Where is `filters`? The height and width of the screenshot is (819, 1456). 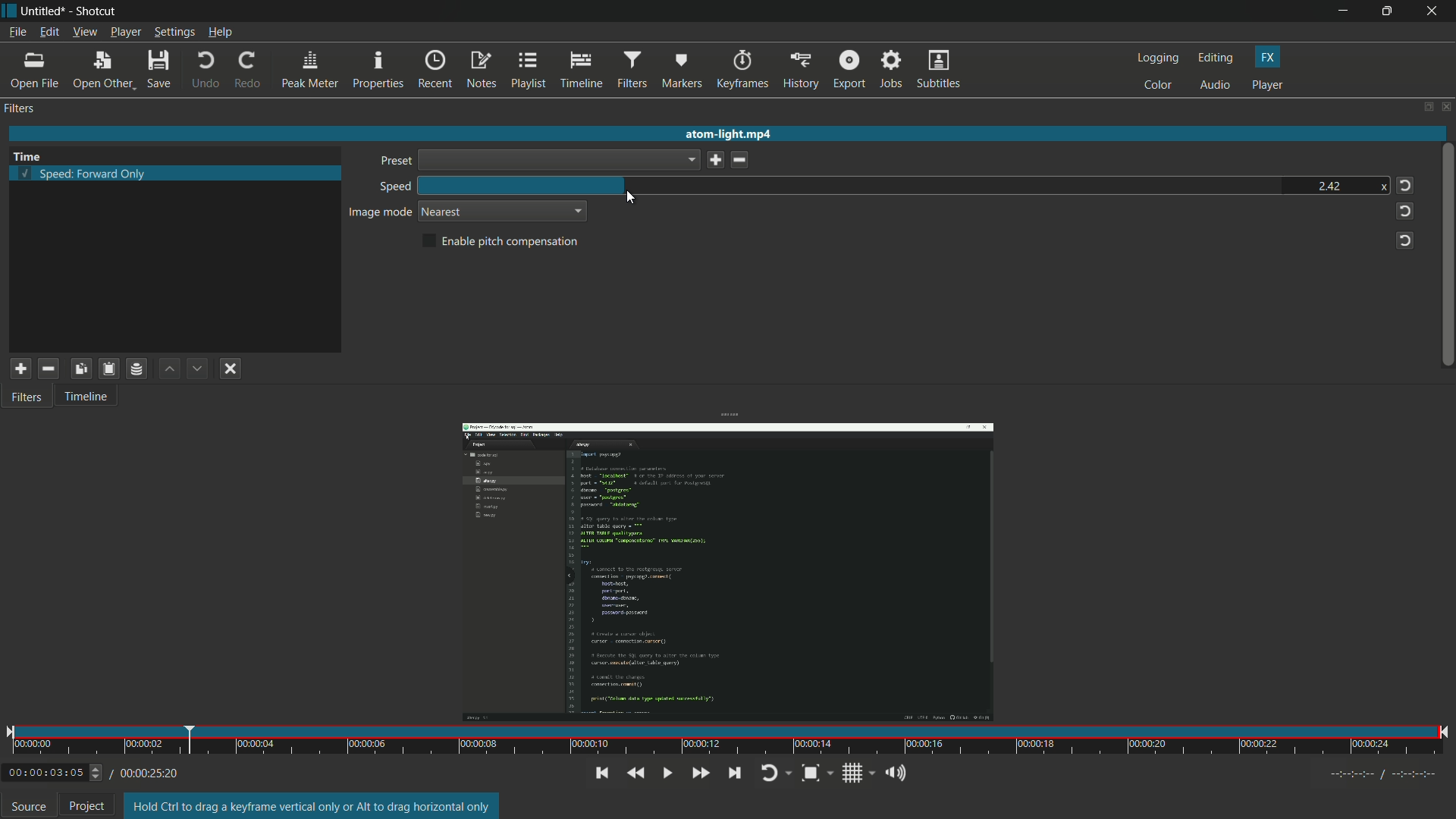 filters is located at coordinates (21, 108).